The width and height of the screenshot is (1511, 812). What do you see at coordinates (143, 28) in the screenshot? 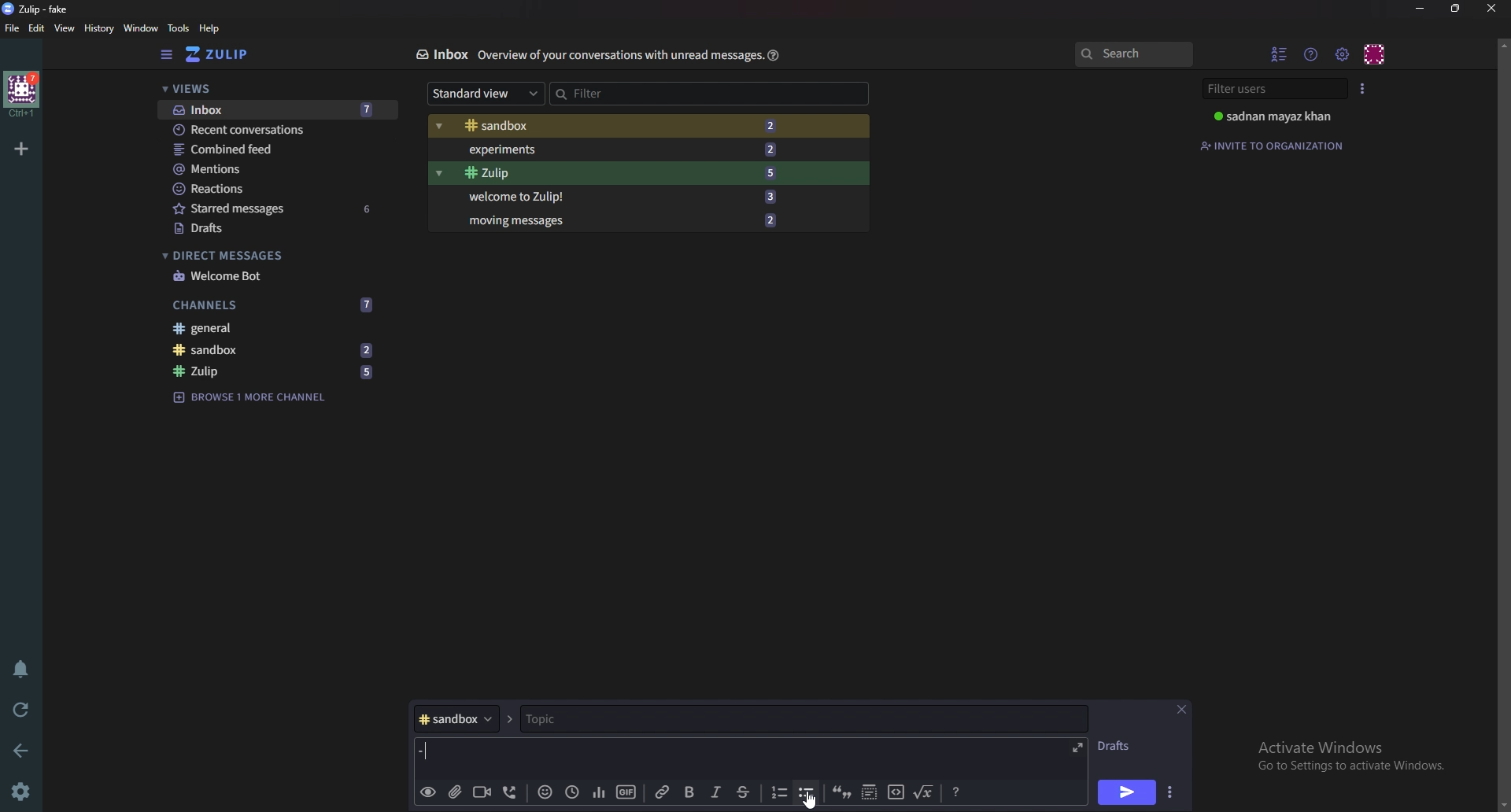
I see `Window` at bounding box center [143, 28].